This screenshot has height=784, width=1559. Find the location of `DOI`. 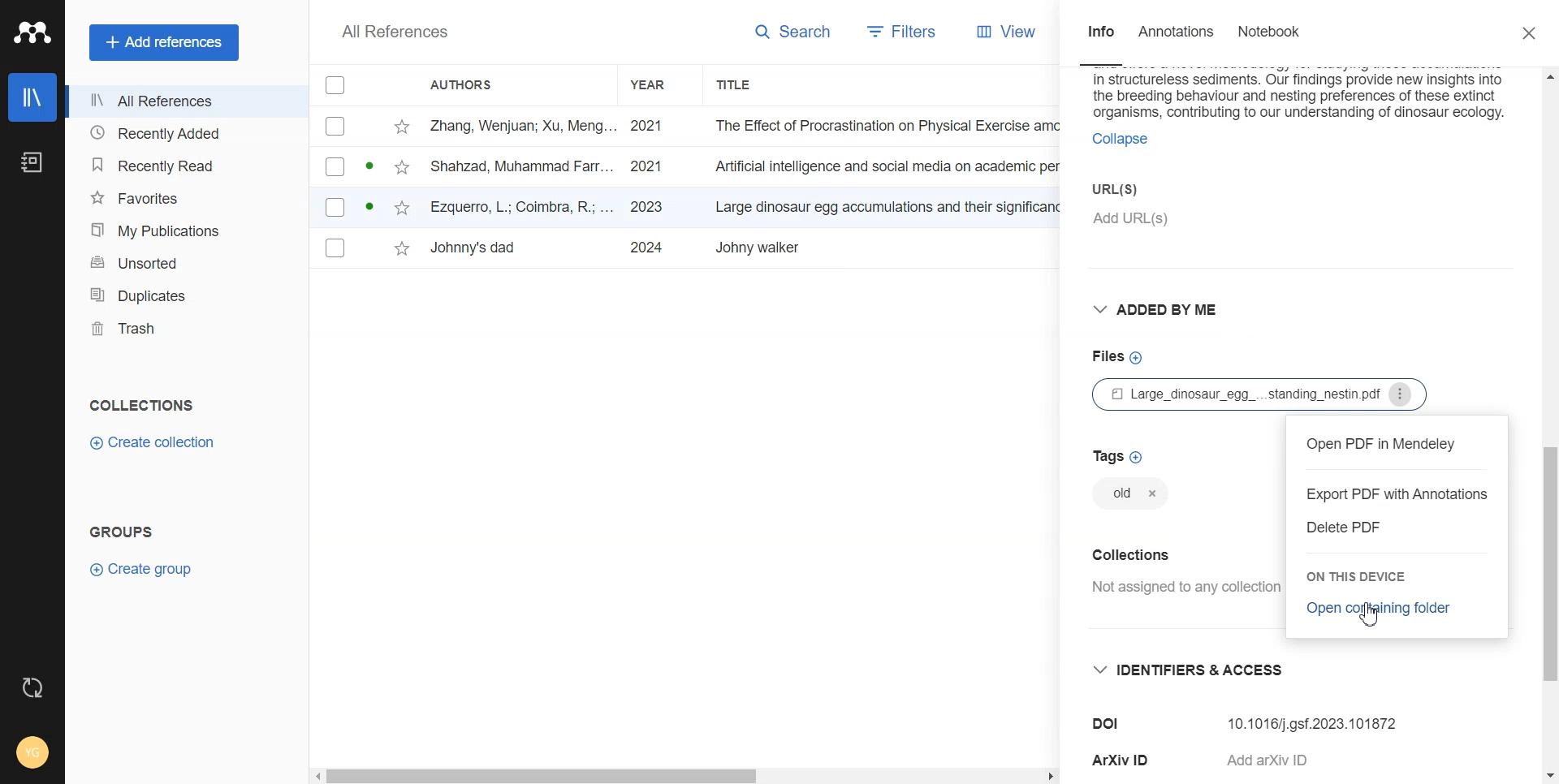

DOI is located at coordinates (1108, 724).